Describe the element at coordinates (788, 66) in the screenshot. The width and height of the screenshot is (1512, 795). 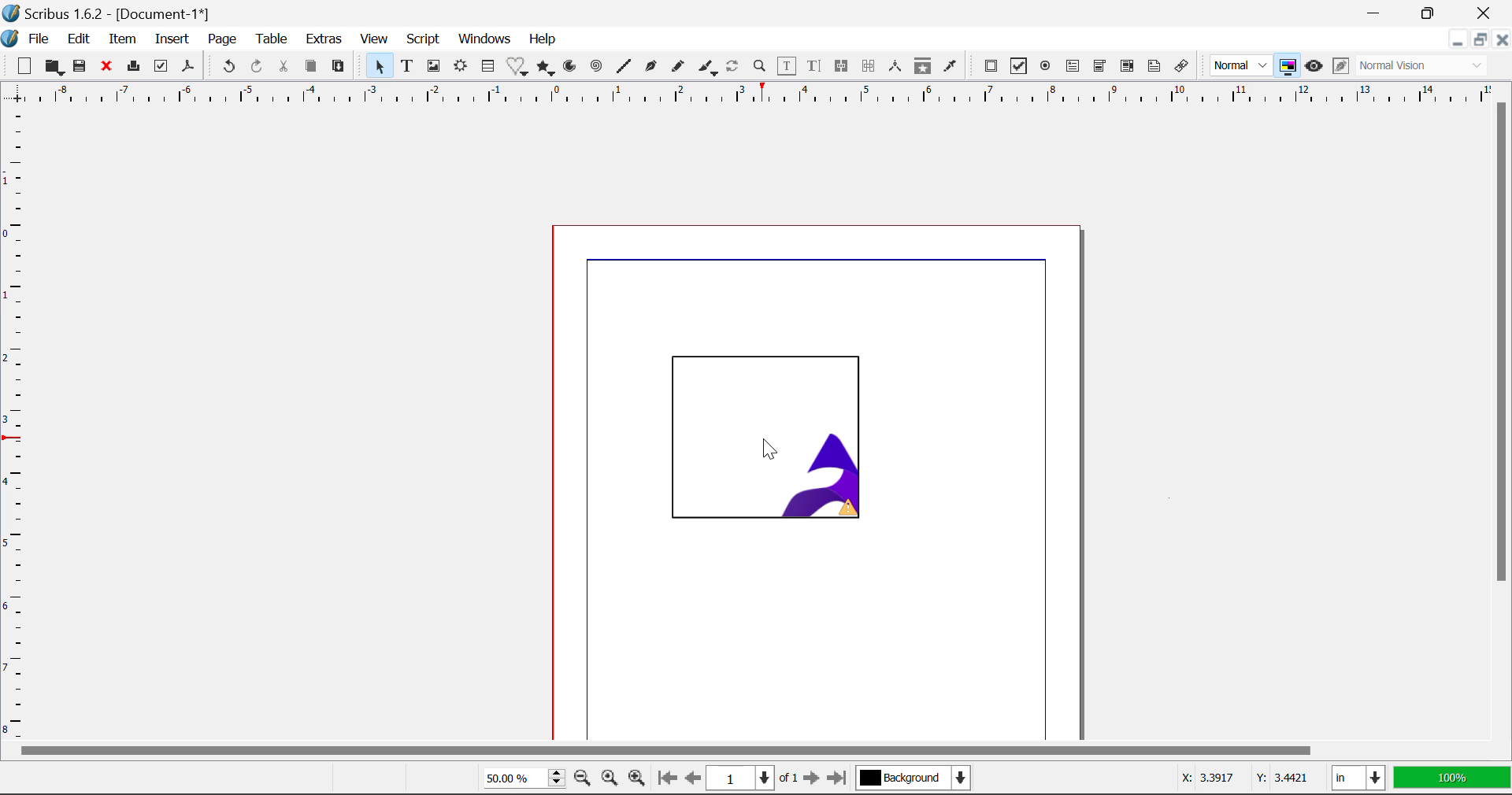
I see `Edit Contents of Frame` at that location.